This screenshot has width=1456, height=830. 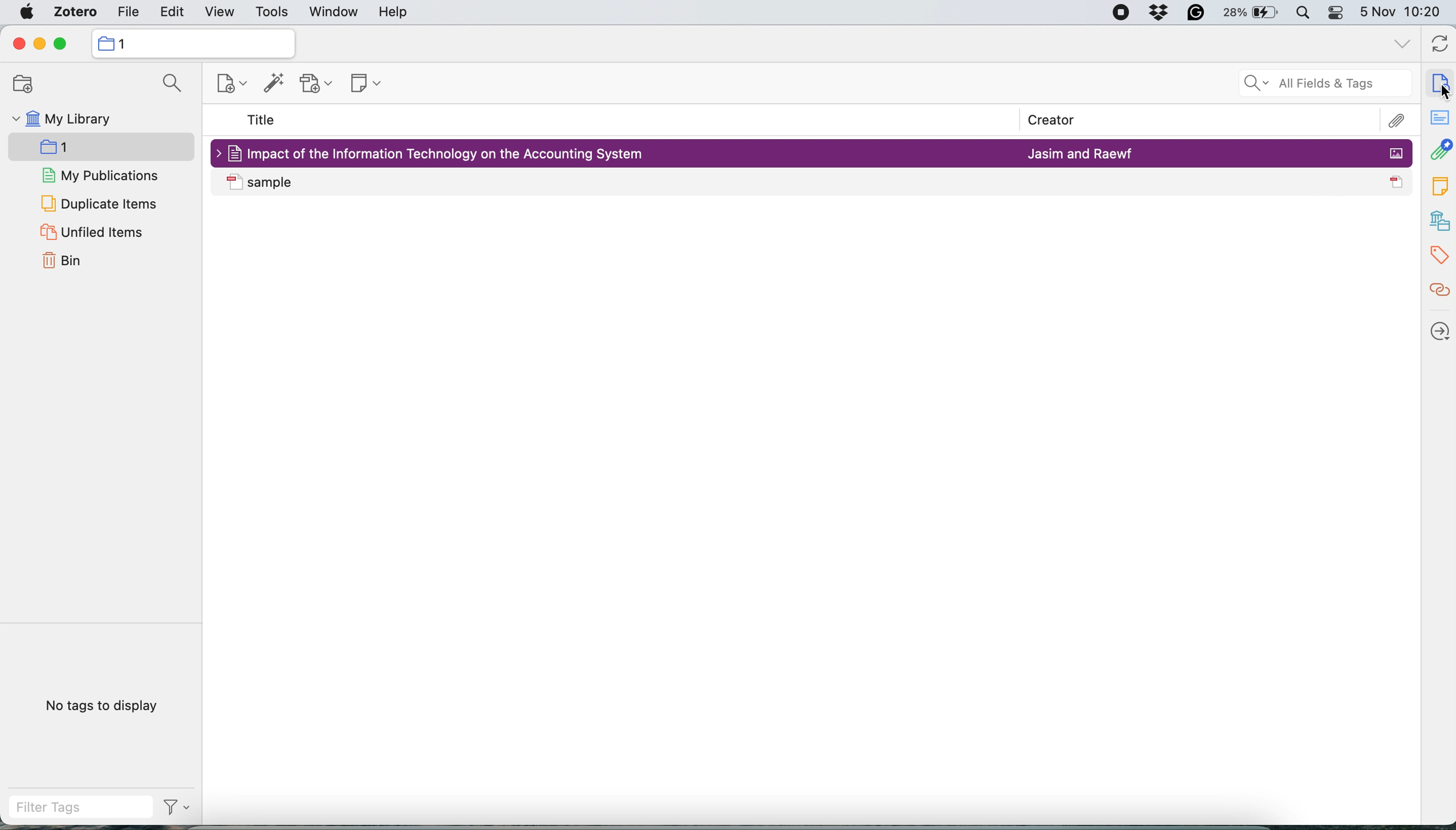 What do you see at coordinates (1080, 154) in the screenshot?
I see `Jasim and Raewf` at bounding box center [1080, 154].